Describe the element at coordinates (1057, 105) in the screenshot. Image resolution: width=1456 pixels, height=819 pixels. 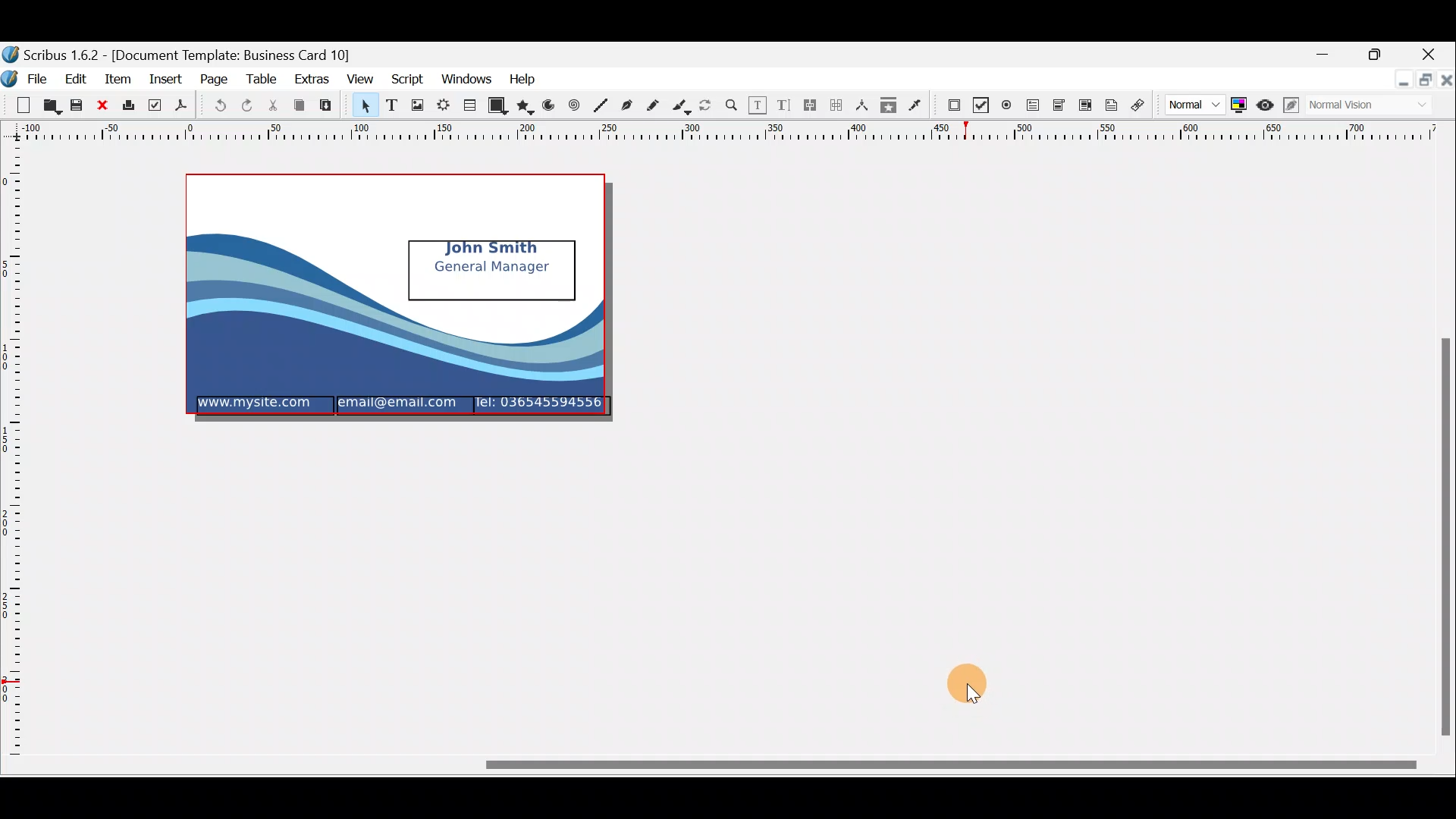
I see `PDF combo box` at that location.